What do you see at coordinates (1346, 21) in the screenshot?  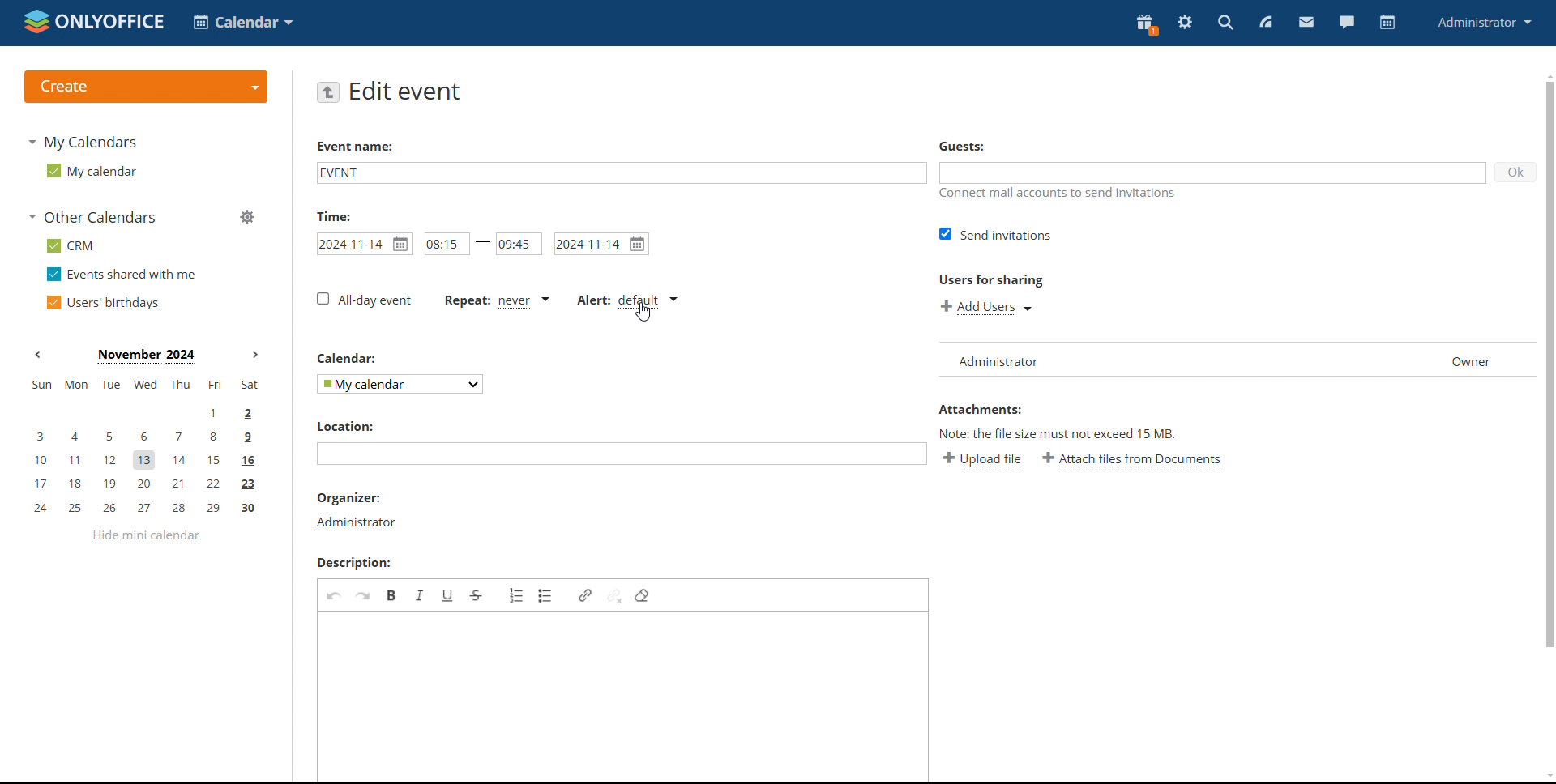 I see `chat` at bounding box center [1346, 21].